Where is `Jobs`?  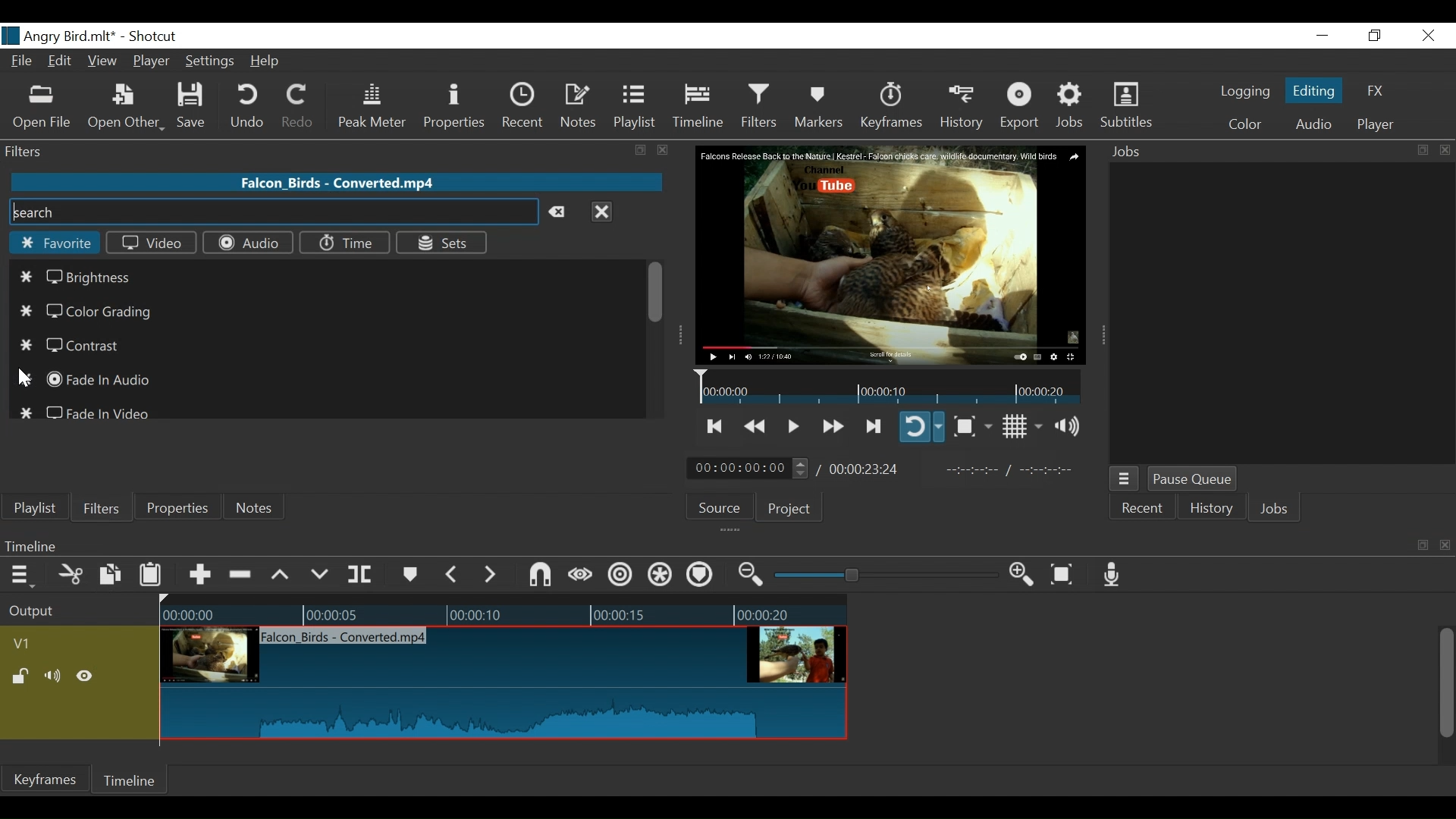 Jobs is located at coordinates (1131, 152).